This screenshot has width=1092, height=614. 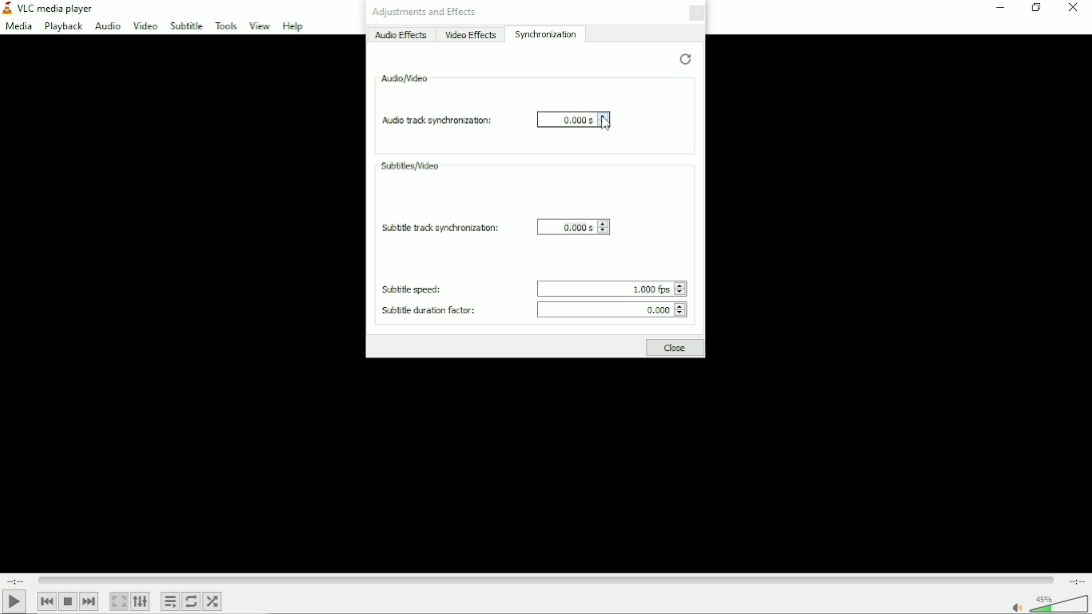 What do you see at coordinates (413, 288) in the screenshot?
I see `Subtitle speed` at bounding box center [413, 288].